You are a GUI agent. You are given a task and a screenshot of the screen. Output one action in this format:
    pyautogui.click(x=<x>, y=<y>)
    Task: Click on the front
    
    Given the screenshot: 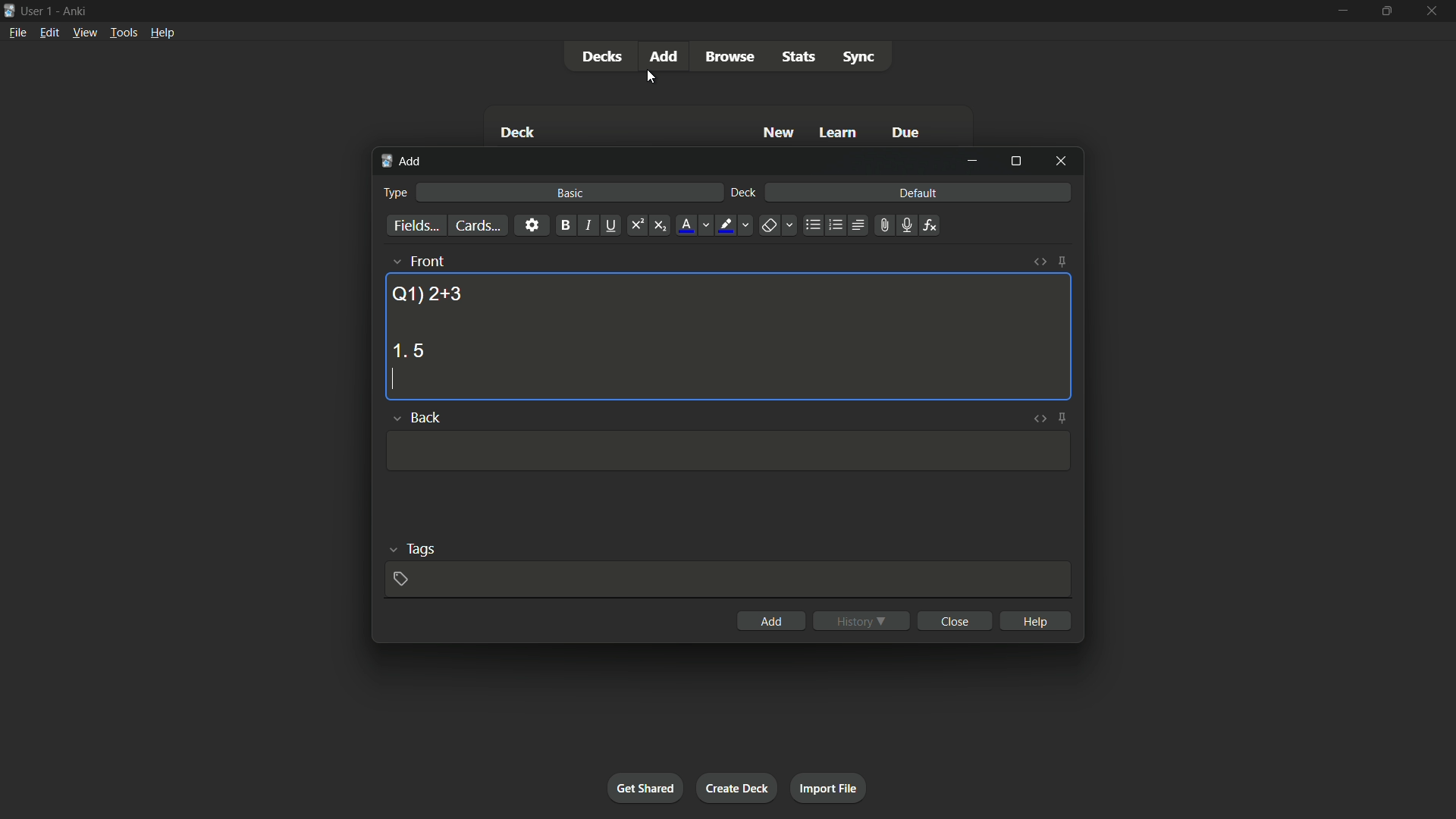 What is the action you would take?
    pyautogui.click(x=426, y=261)
    